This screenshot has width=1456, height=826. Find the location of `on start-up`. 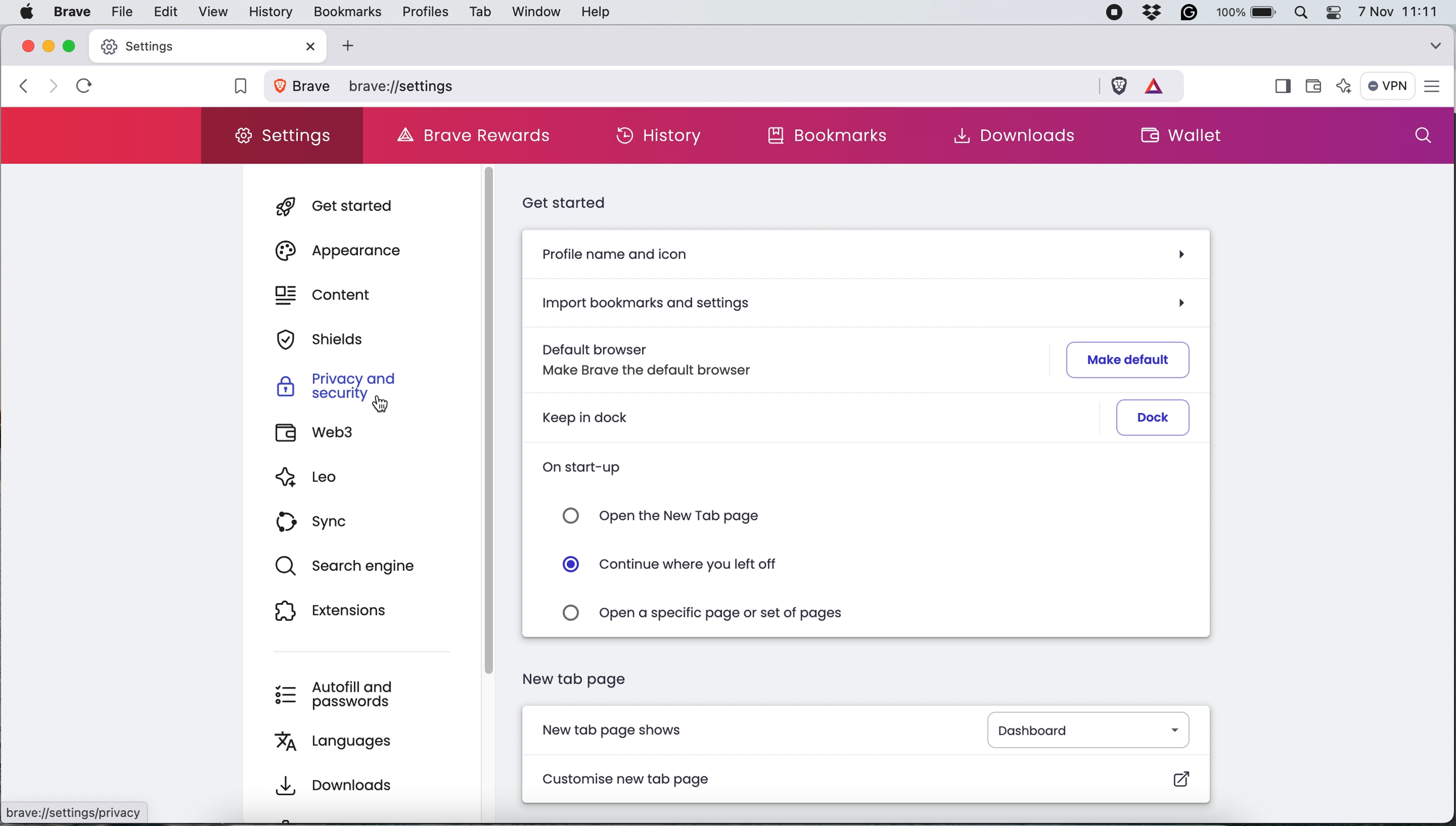

on start-up is located at coordinates (591, 469).